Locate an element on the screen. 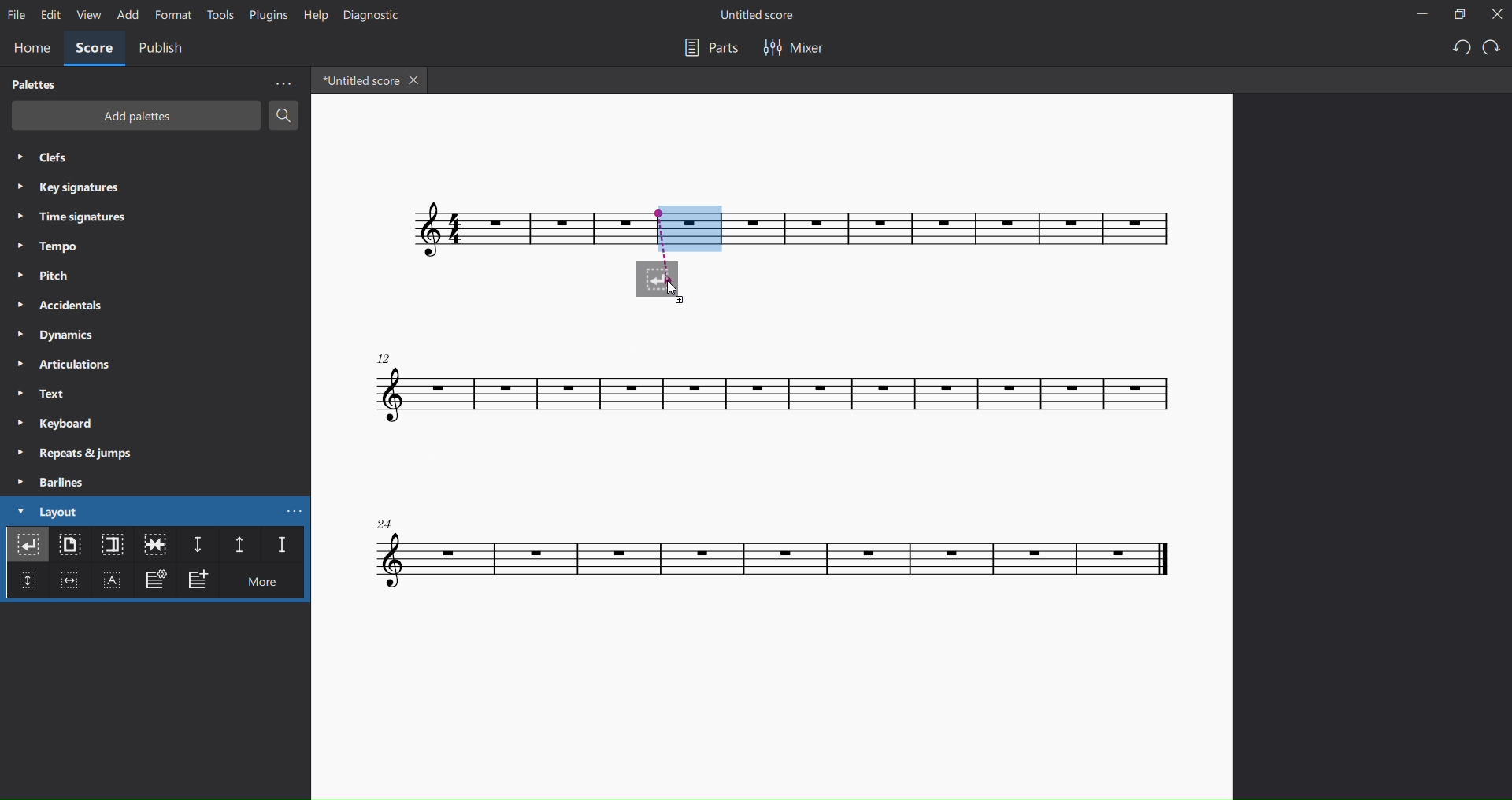 The width and height of the screenshot is (1512, 800). diagnostic is located at coordinates (369, 15).